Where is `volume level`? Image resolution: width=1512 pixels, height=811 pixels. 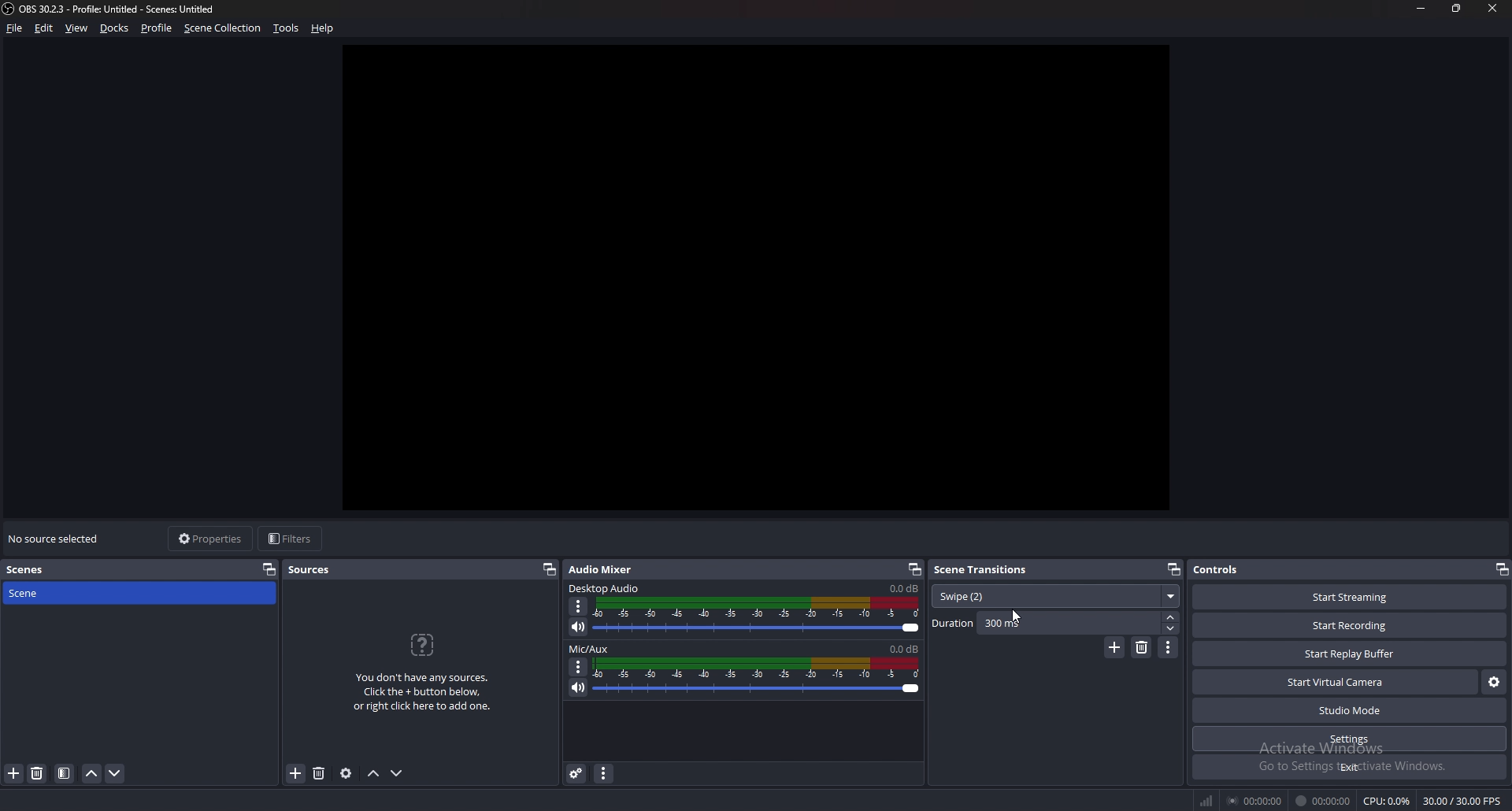 volume level is located at coordinates (904, 649).